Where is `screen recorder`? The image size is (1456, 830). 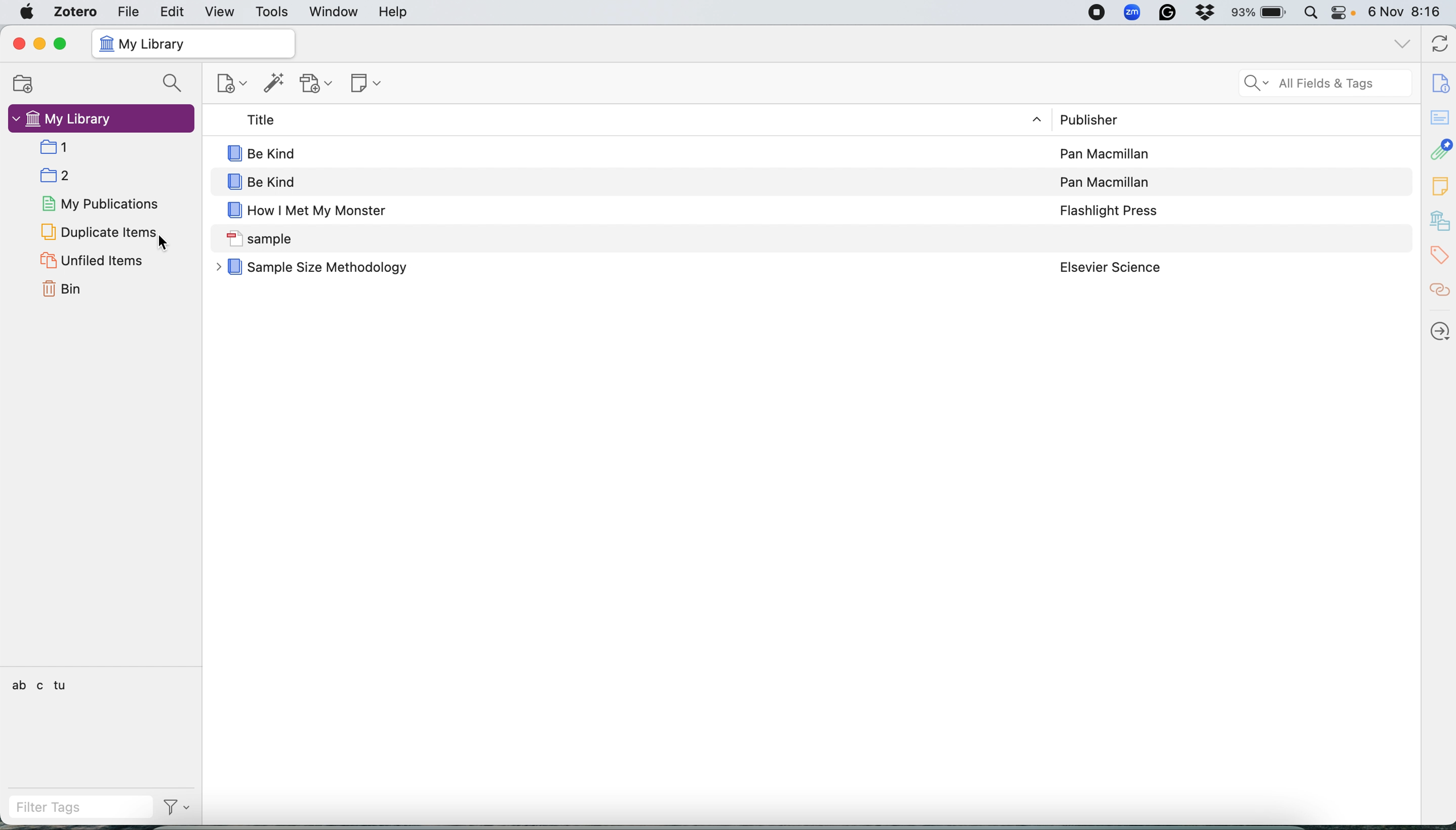
screen recorder is located at coordinates (1098, 13).